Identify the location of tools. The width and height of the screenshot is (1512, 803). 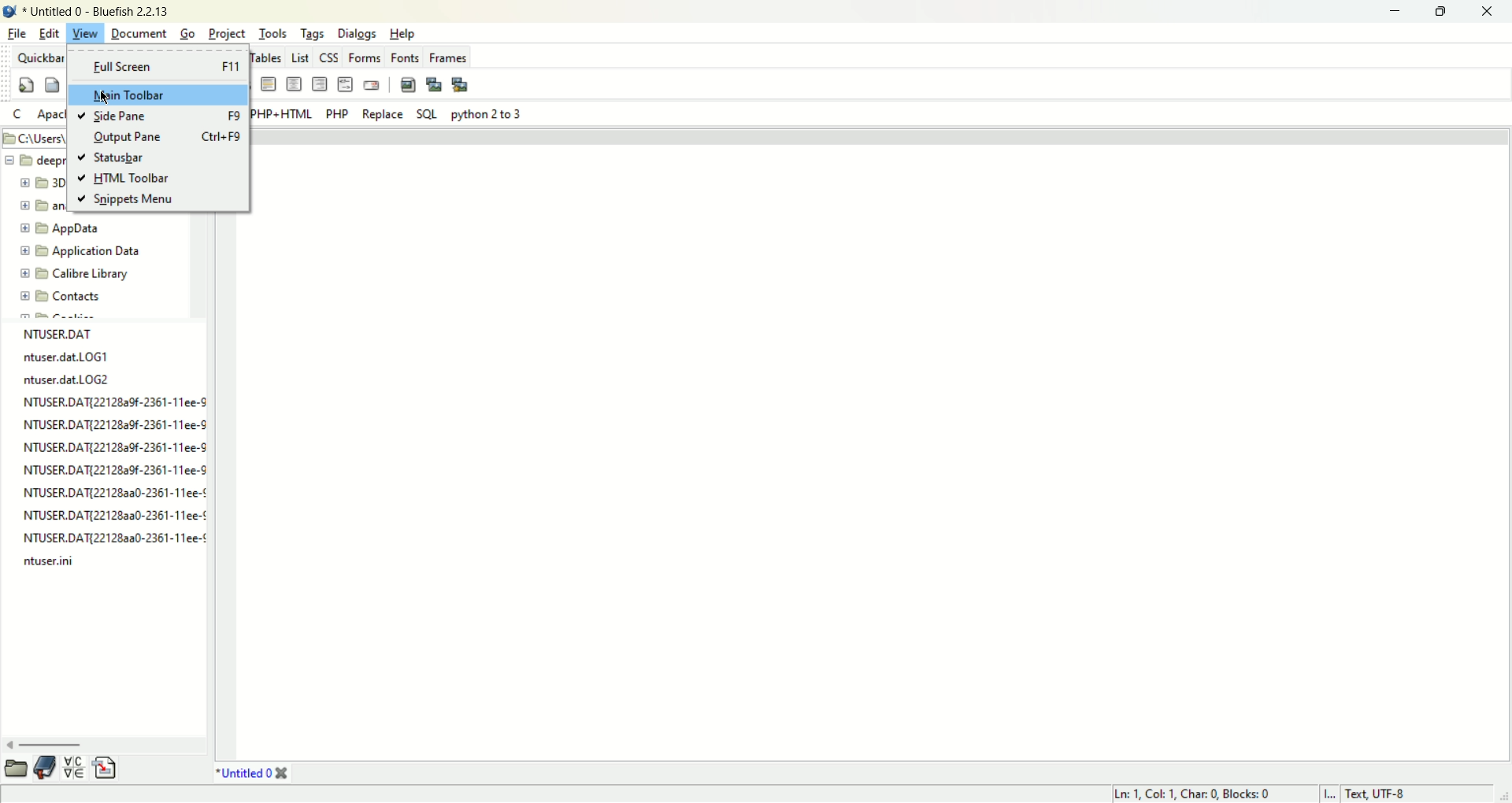
(272, 33).